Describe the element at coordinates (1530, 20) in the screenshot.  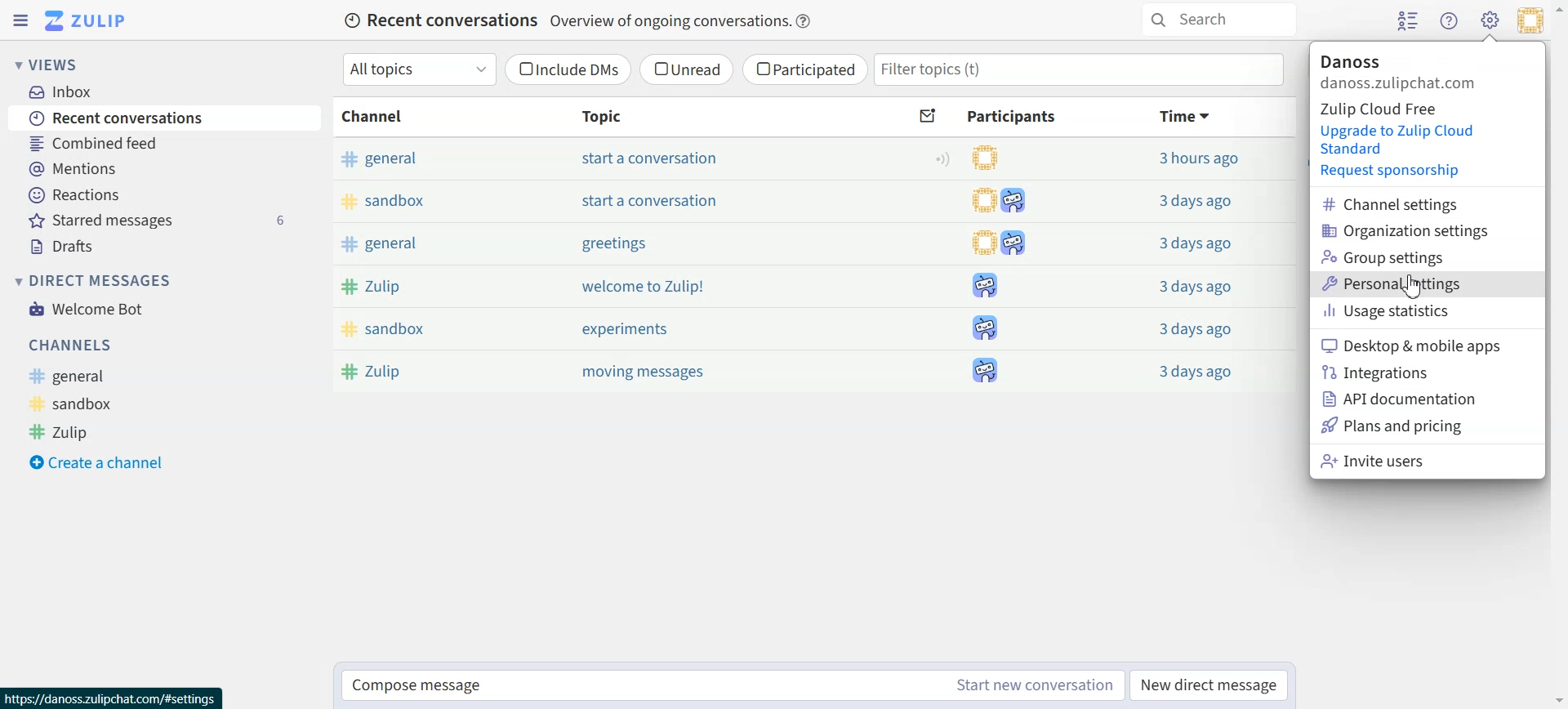
I see `Personal menu` at that location.